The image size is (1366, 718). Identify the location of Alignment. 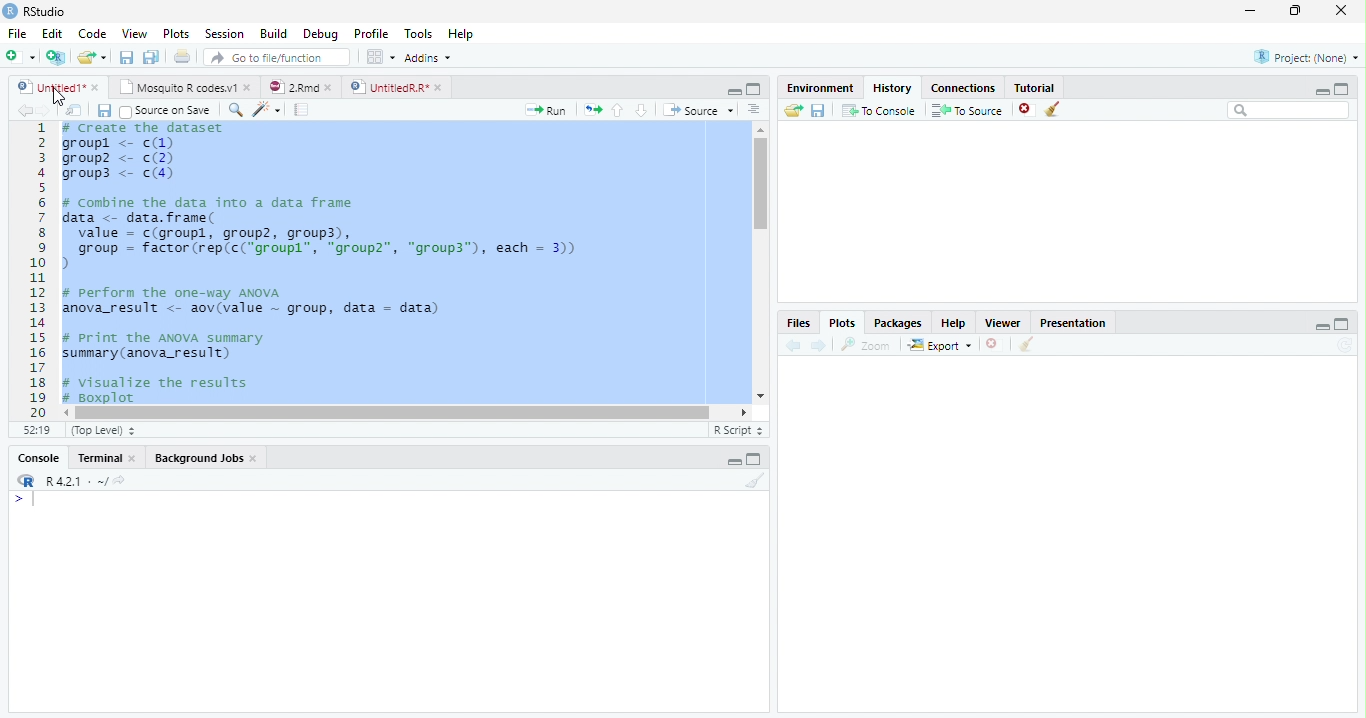
(753, 111).